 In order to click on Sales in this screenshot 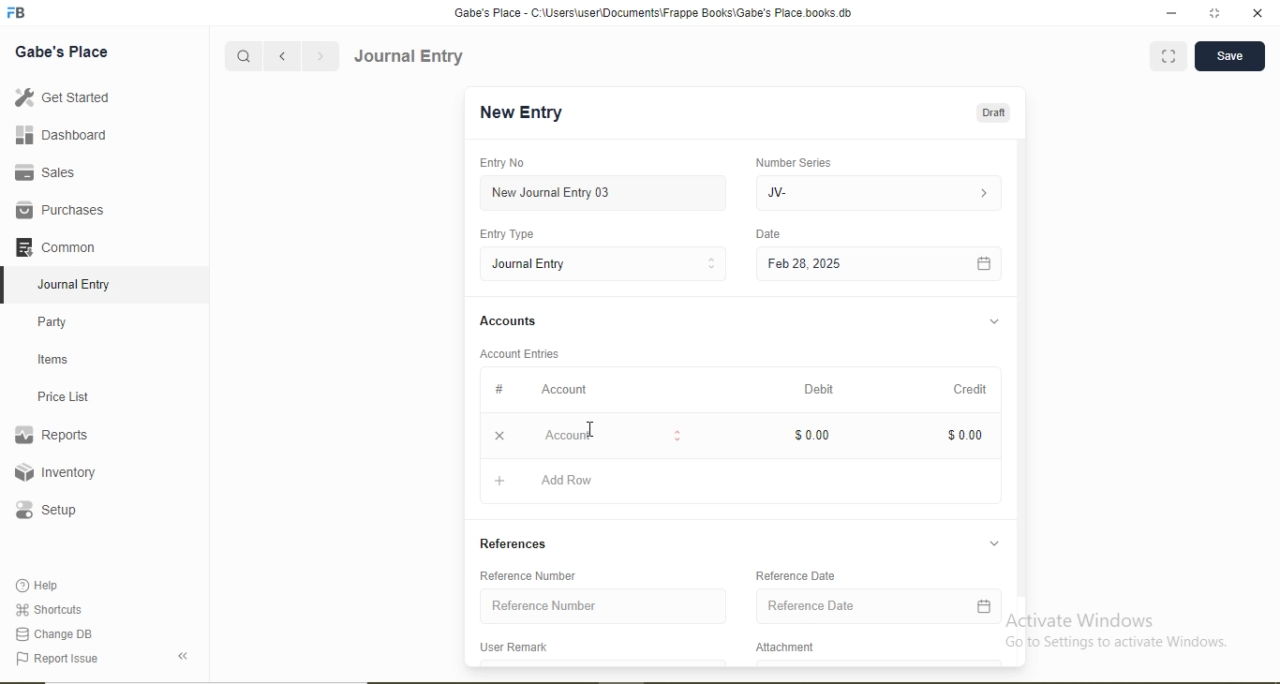, I will do `click(42, 172)`.